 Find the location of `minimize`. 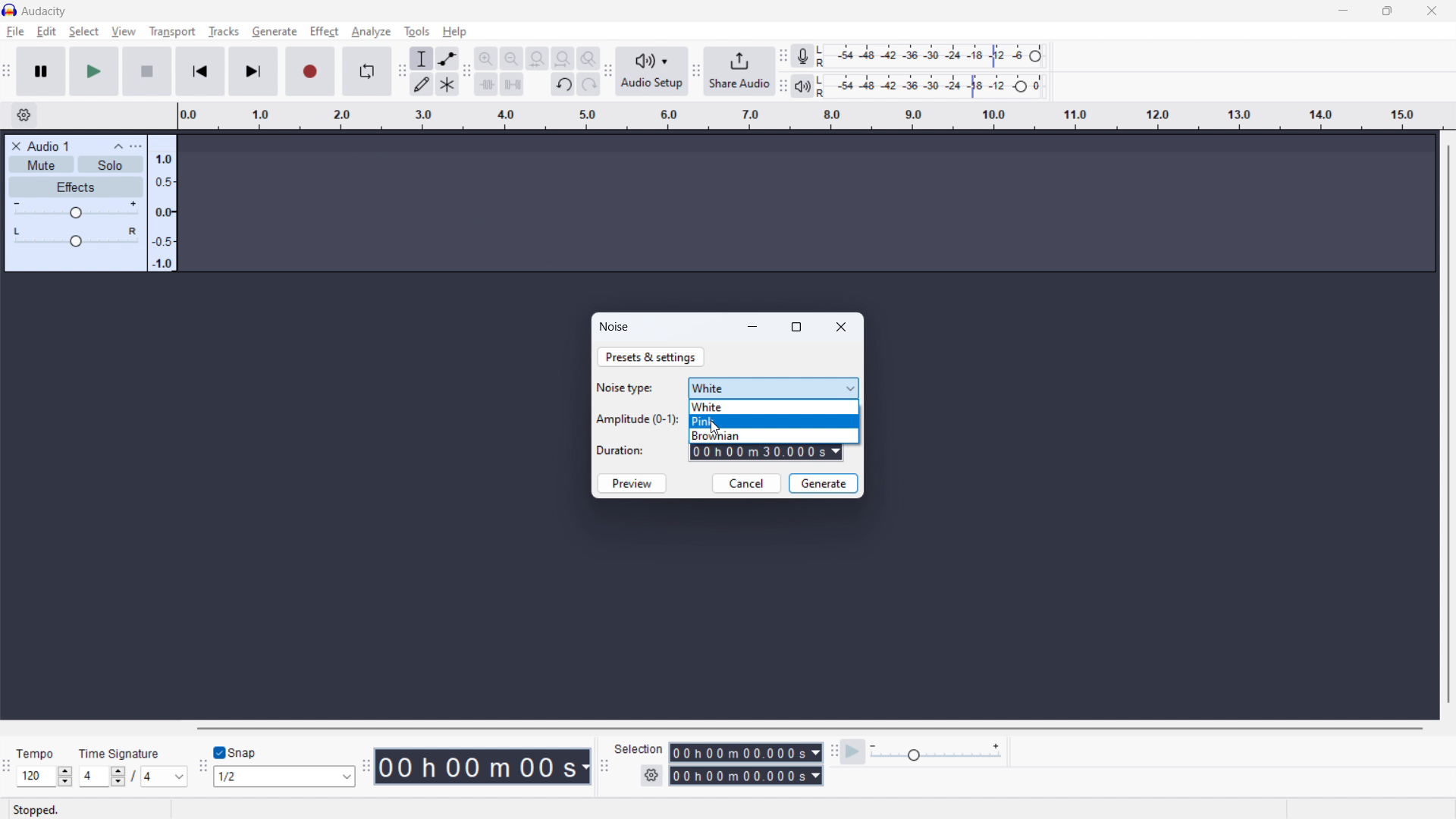

minimize is located at coordinates (754, 326).